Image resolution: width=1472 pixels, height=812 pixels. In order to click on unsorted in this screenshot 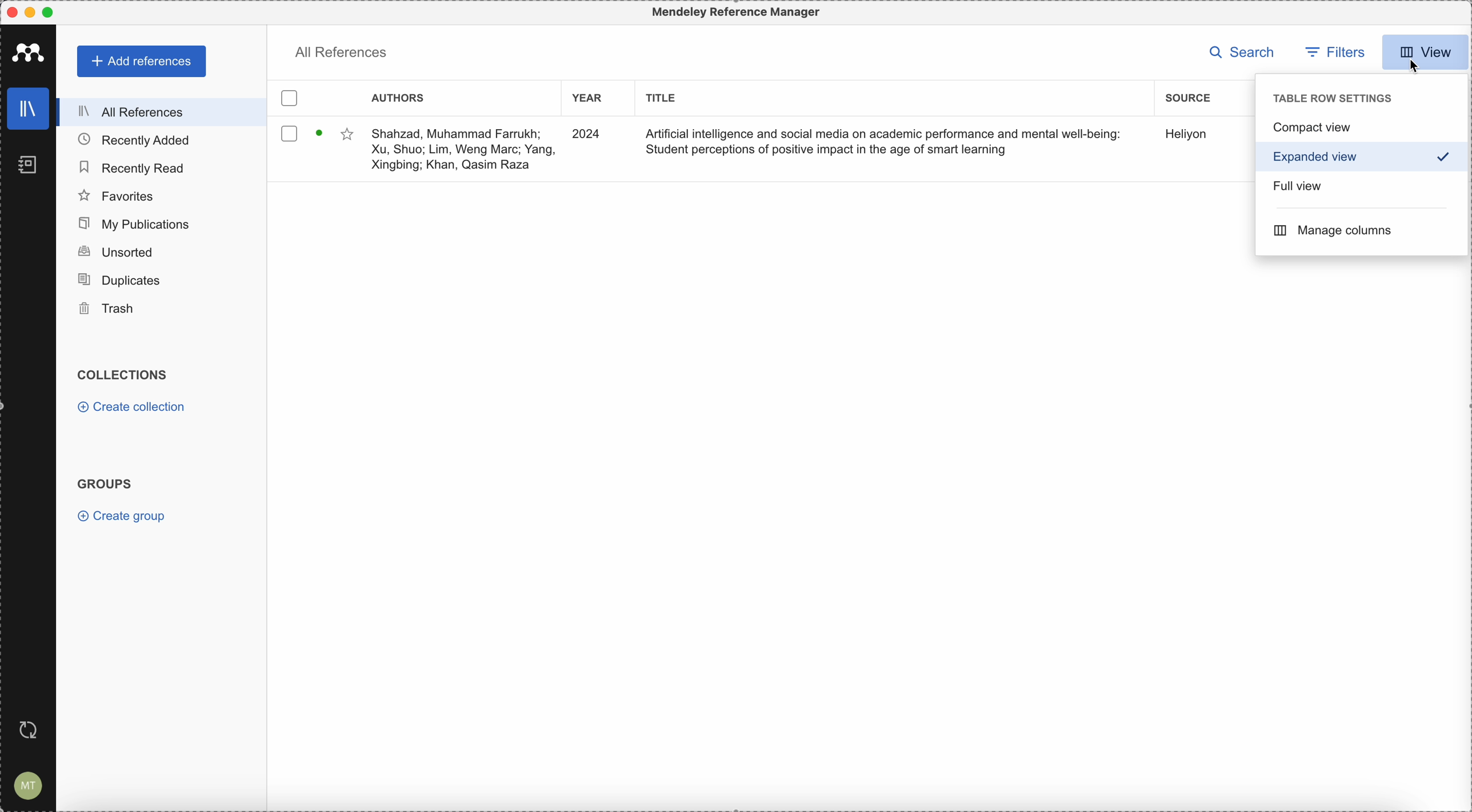, I will do `click(115, 250)`.